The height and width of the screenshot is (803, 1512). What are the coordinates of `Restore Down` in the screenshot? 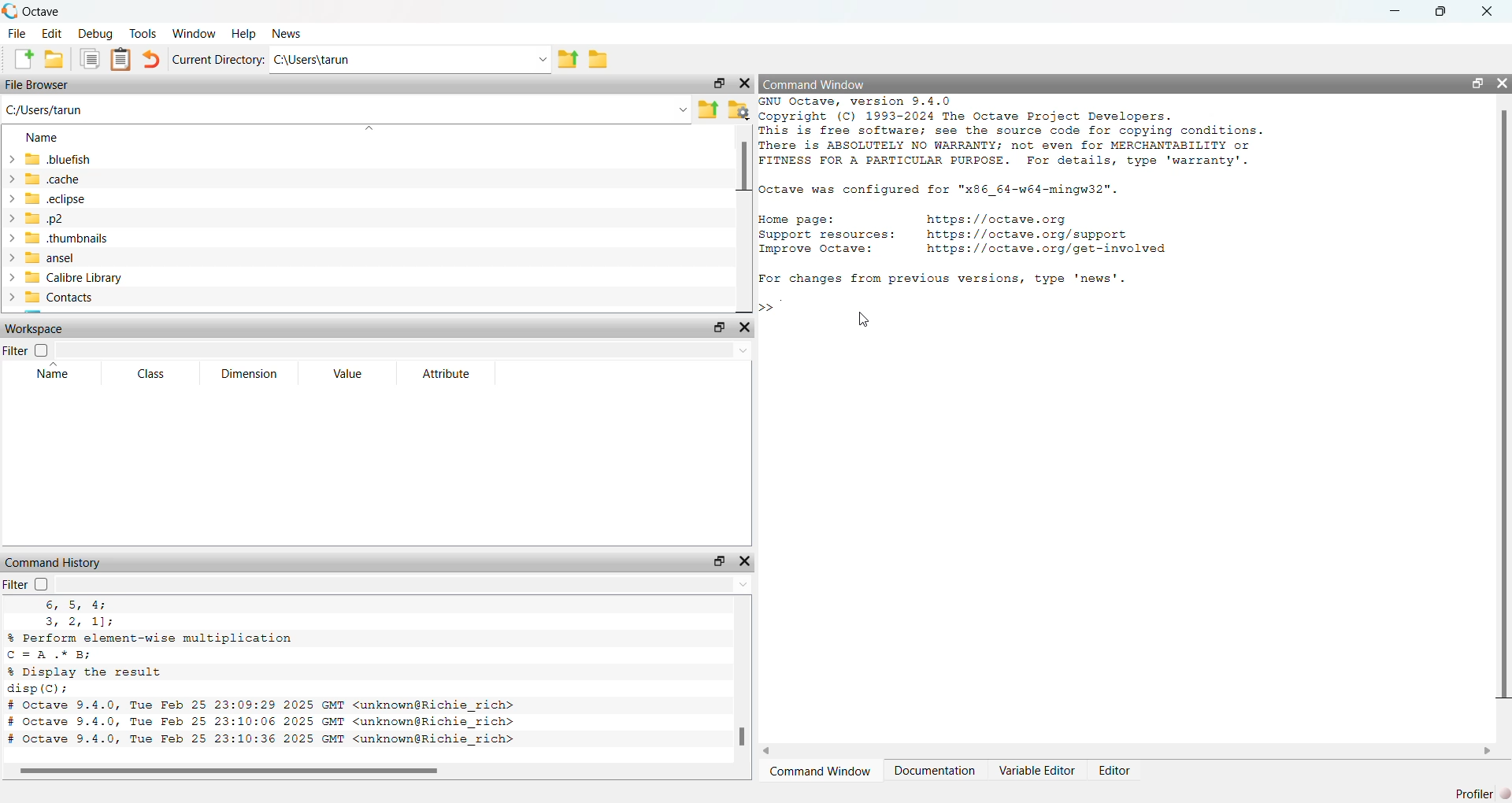 It's located at (1443, 12).